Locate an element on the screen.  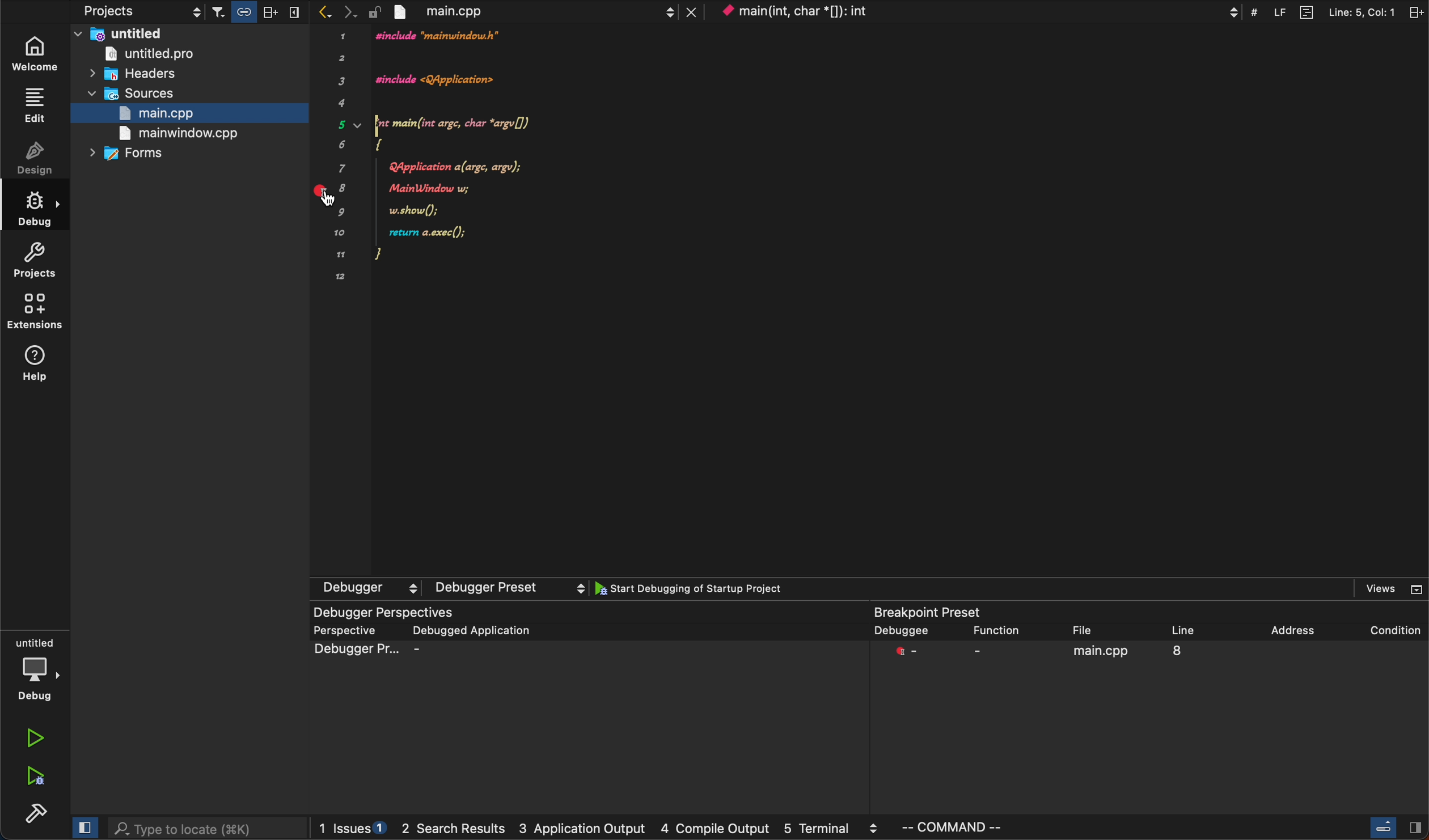
end point is located at coordinates (335, 195).